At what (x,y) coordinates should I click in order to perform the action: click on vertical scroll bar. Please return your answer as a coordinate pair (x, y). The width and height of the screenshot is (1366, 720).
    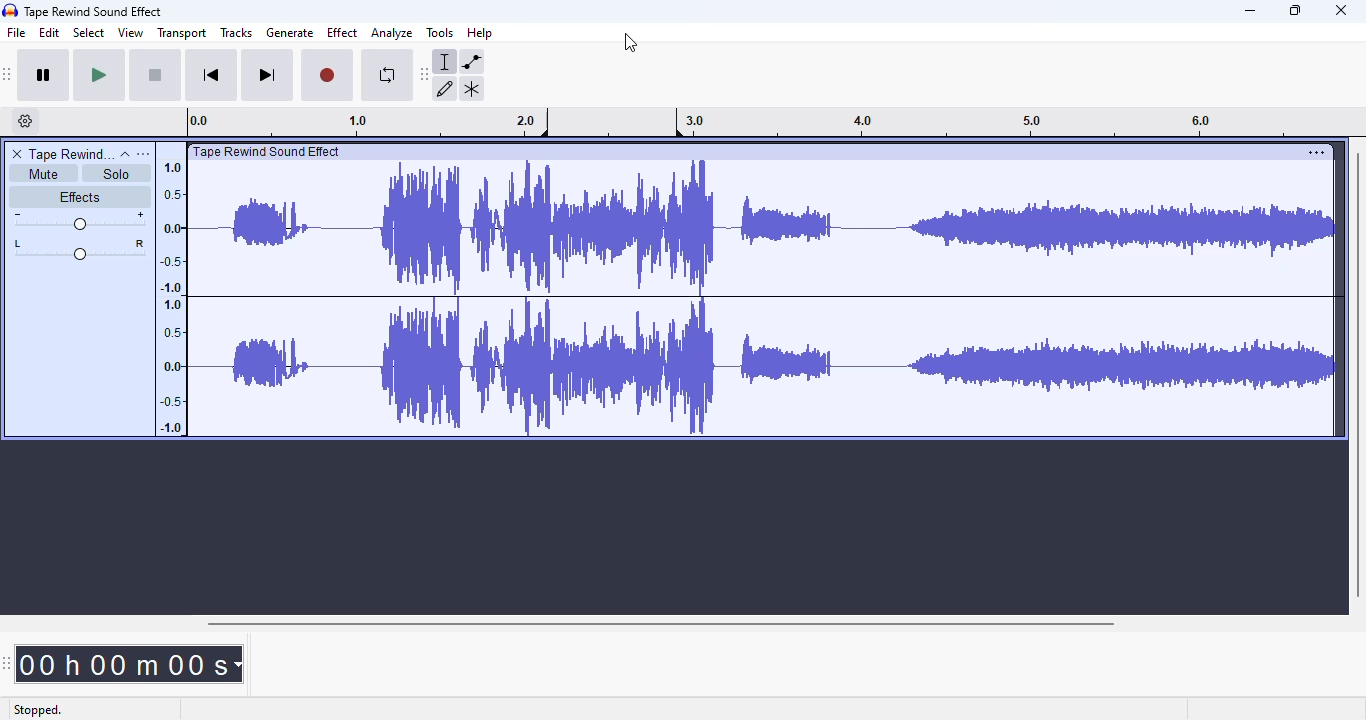
    Looking at the image, I should click on (1359, 370).